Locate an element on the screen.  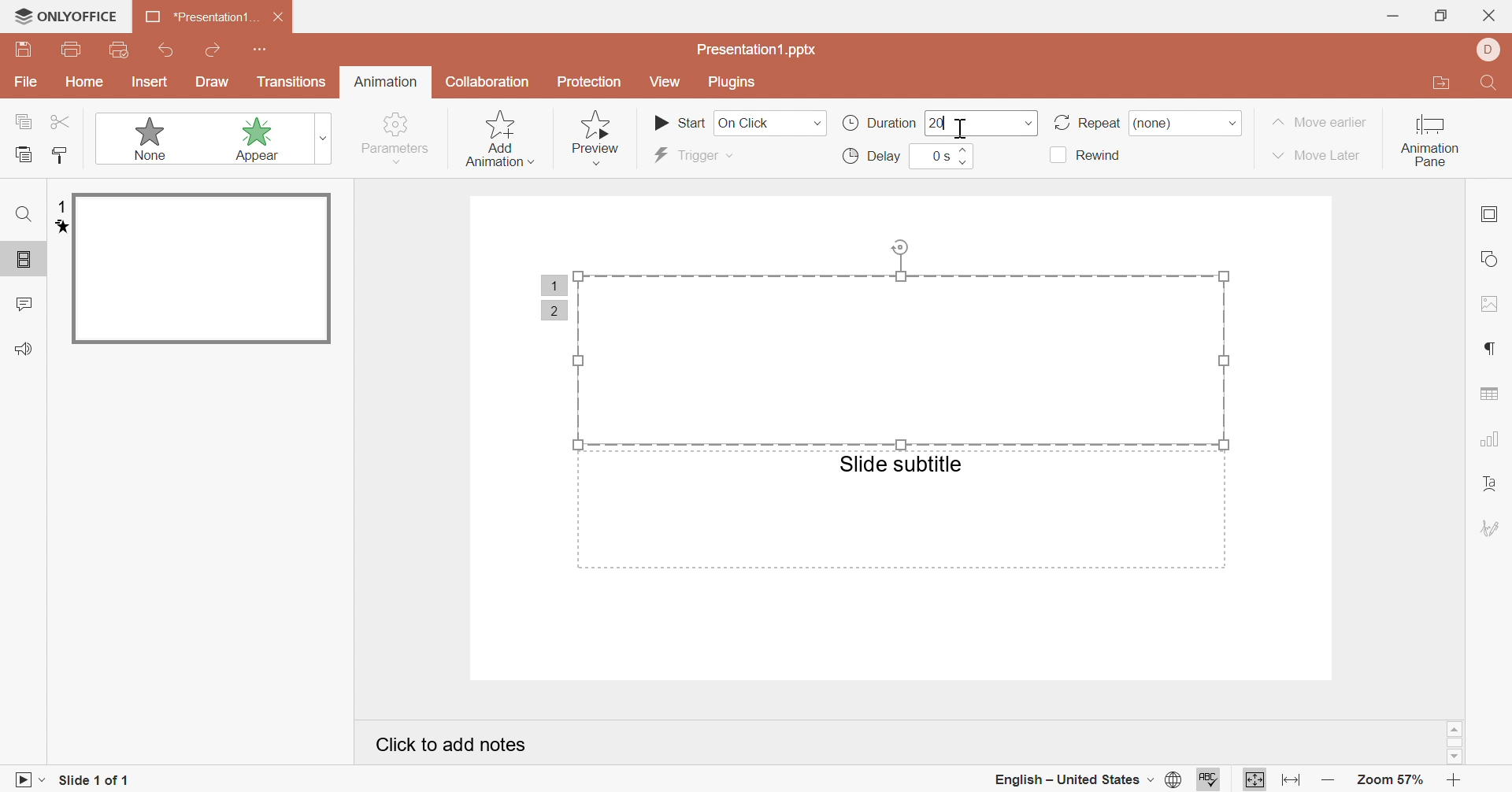
dell is located at coordinates (1490, 49).